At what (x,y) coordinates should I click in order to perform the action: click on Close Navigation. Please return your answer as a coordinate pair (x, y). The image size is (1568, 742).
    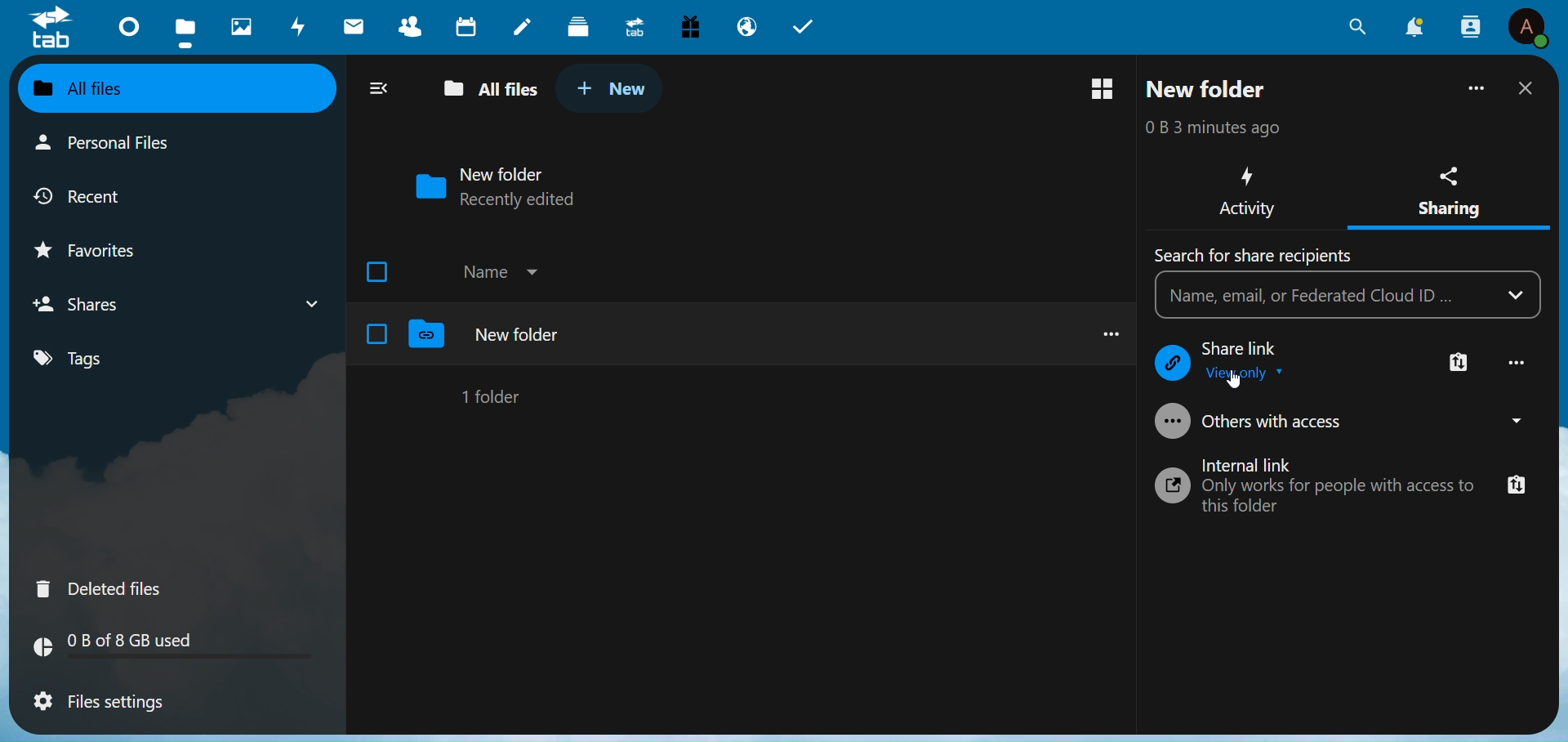
    Looking at the image, I should click on (378, 87).